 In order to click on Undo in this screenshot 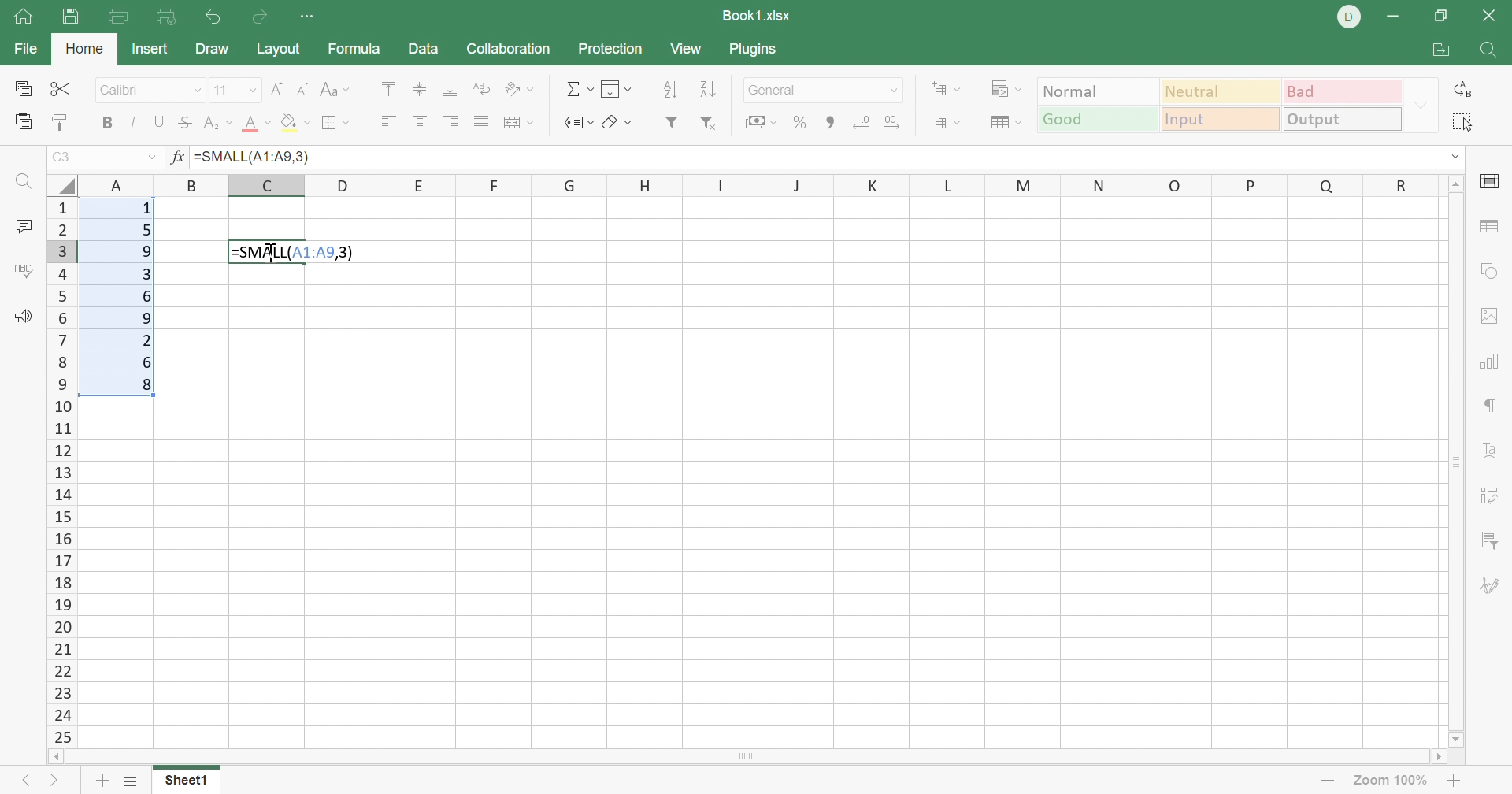, I will do `click(212, 16)`.